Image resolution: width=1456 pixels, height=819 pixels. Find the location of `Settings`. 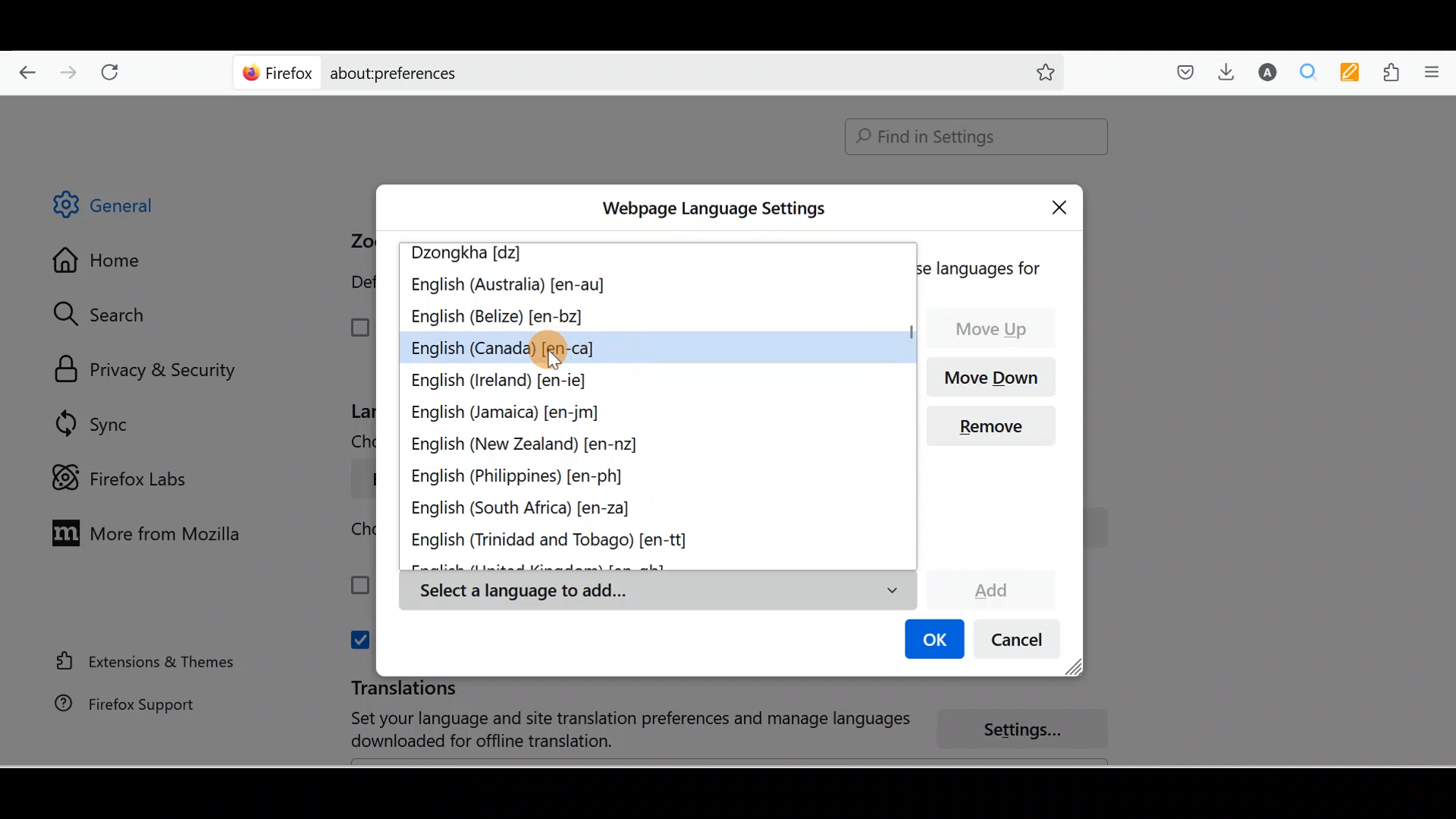

Settings is located at coordinates (1031, 730).